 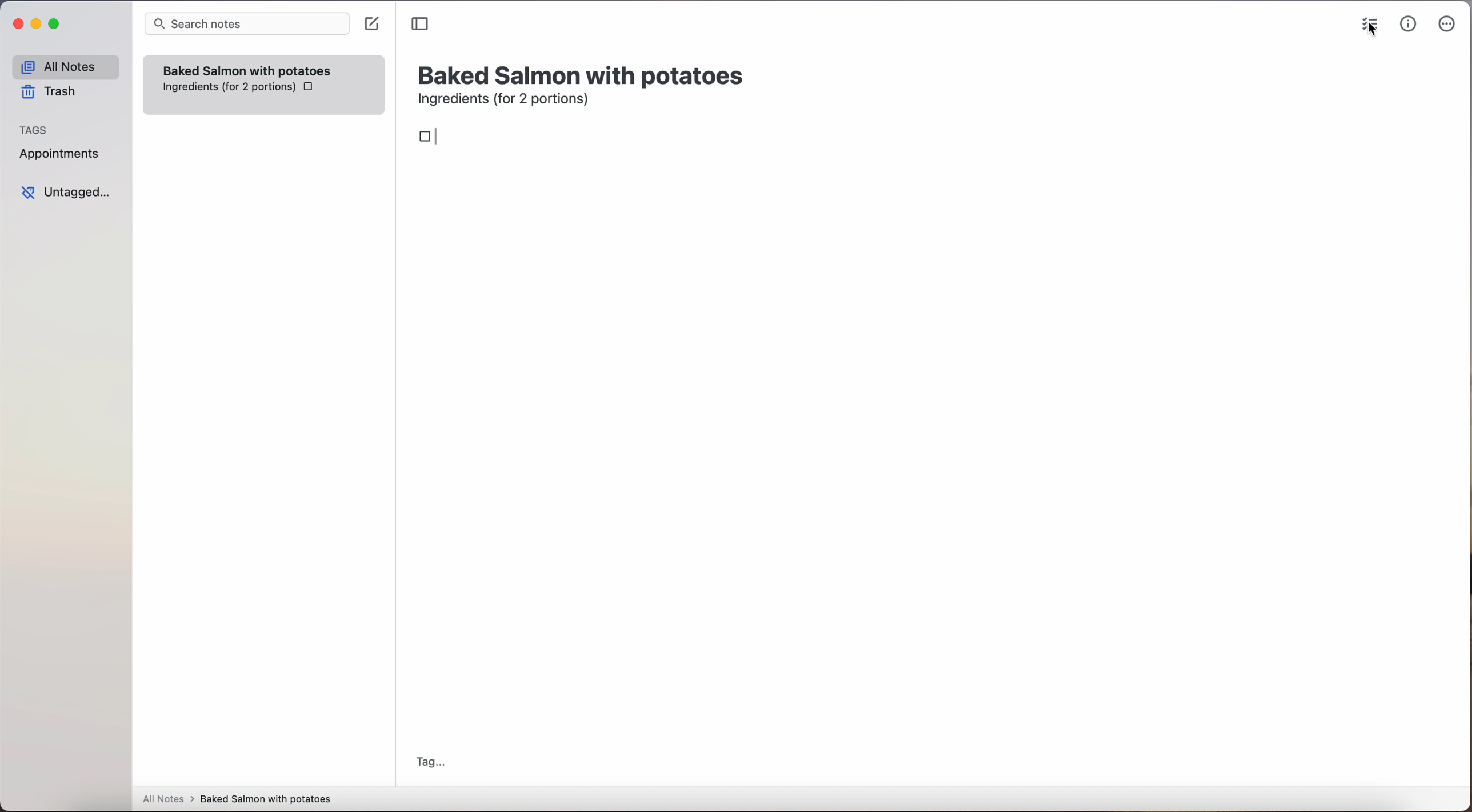 I want to click on box, so click(x=431, y=137).